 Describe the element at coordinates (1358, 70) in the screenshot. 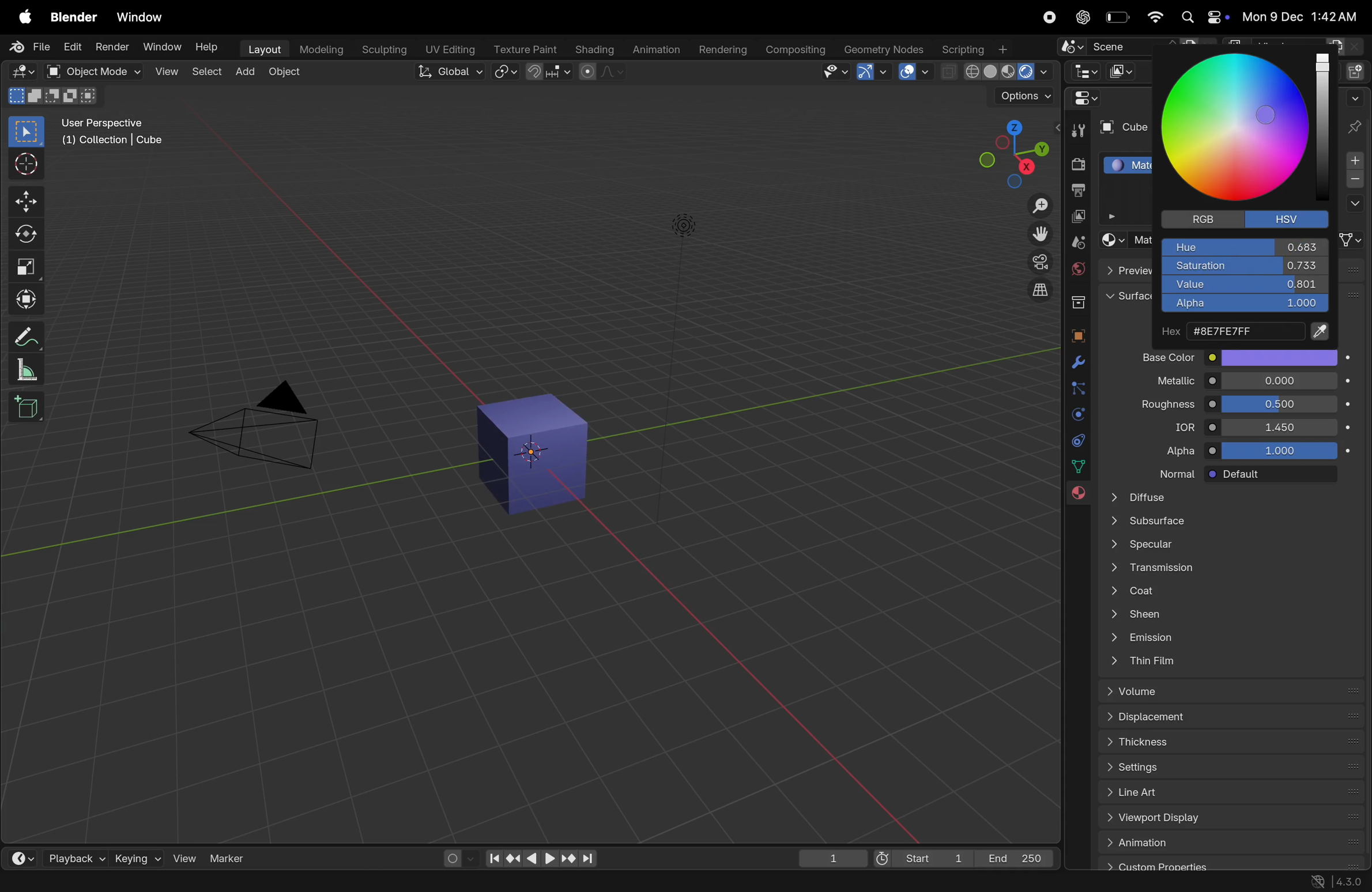

I see `new collection` at that location.